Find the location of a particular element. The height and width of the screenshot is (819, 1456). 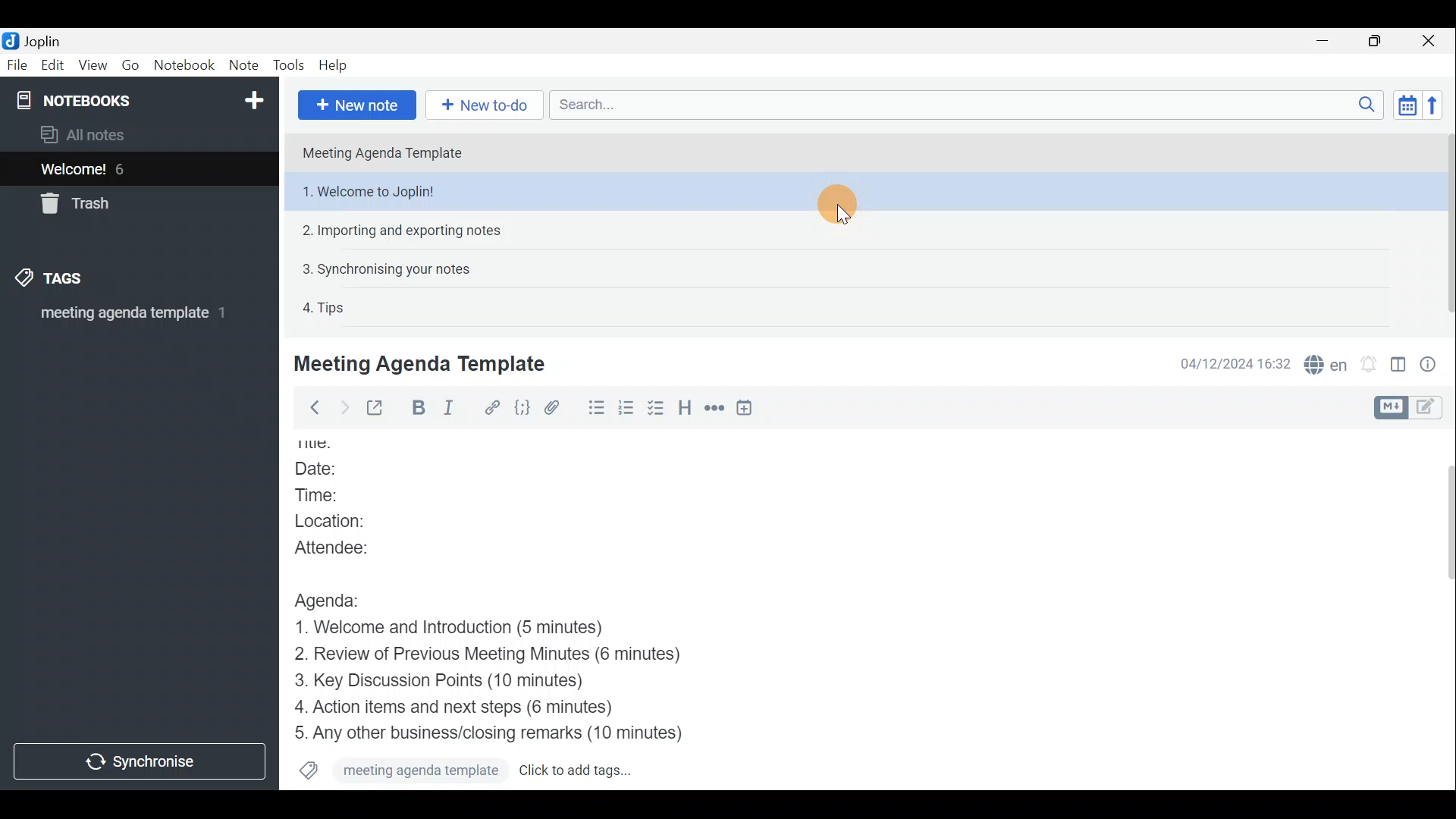

Notebook is located at coordinates (183, 64).